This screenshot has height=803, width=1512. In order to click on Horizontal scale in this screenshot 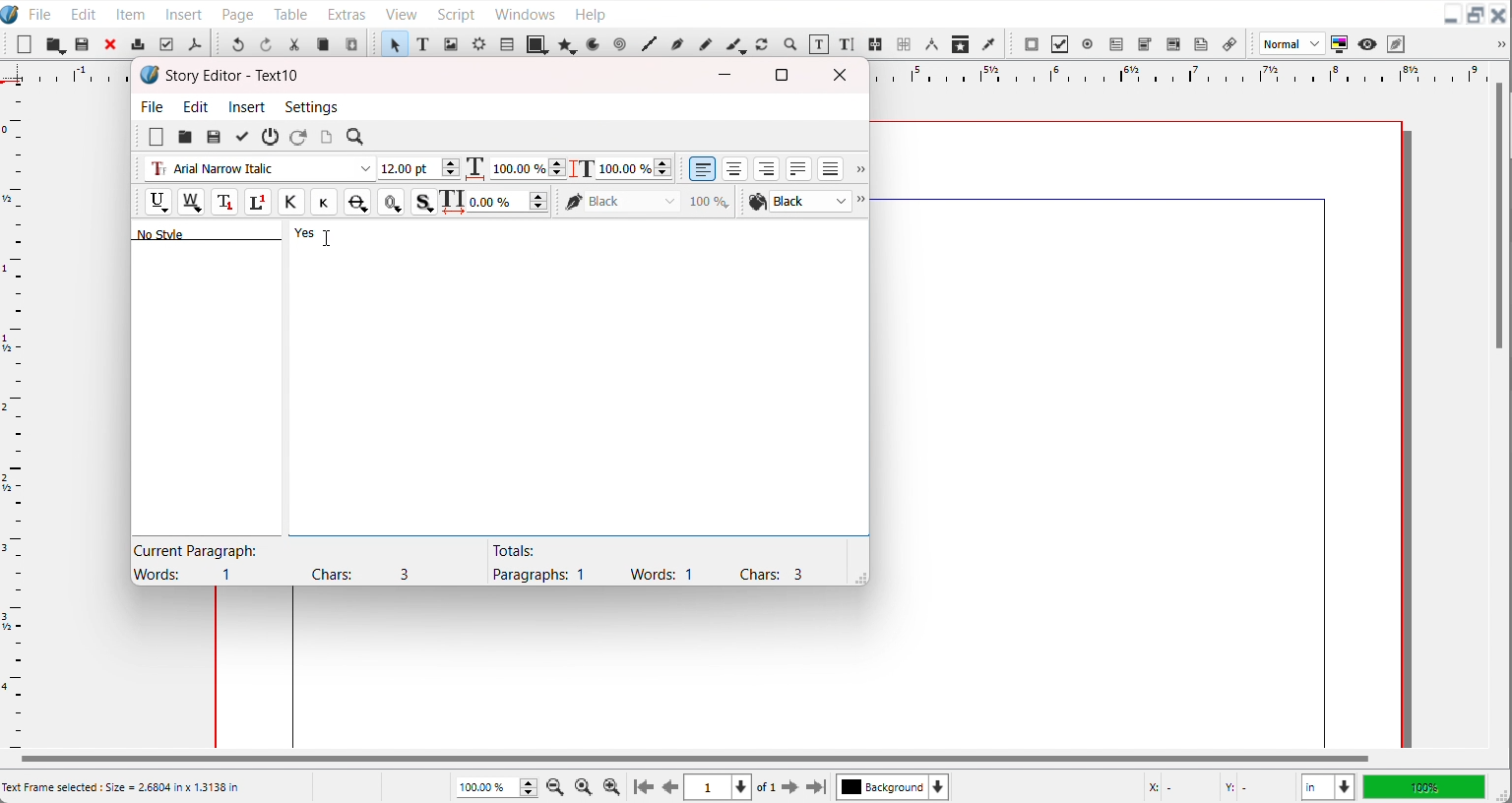, I will do `click(1173, 73)`.